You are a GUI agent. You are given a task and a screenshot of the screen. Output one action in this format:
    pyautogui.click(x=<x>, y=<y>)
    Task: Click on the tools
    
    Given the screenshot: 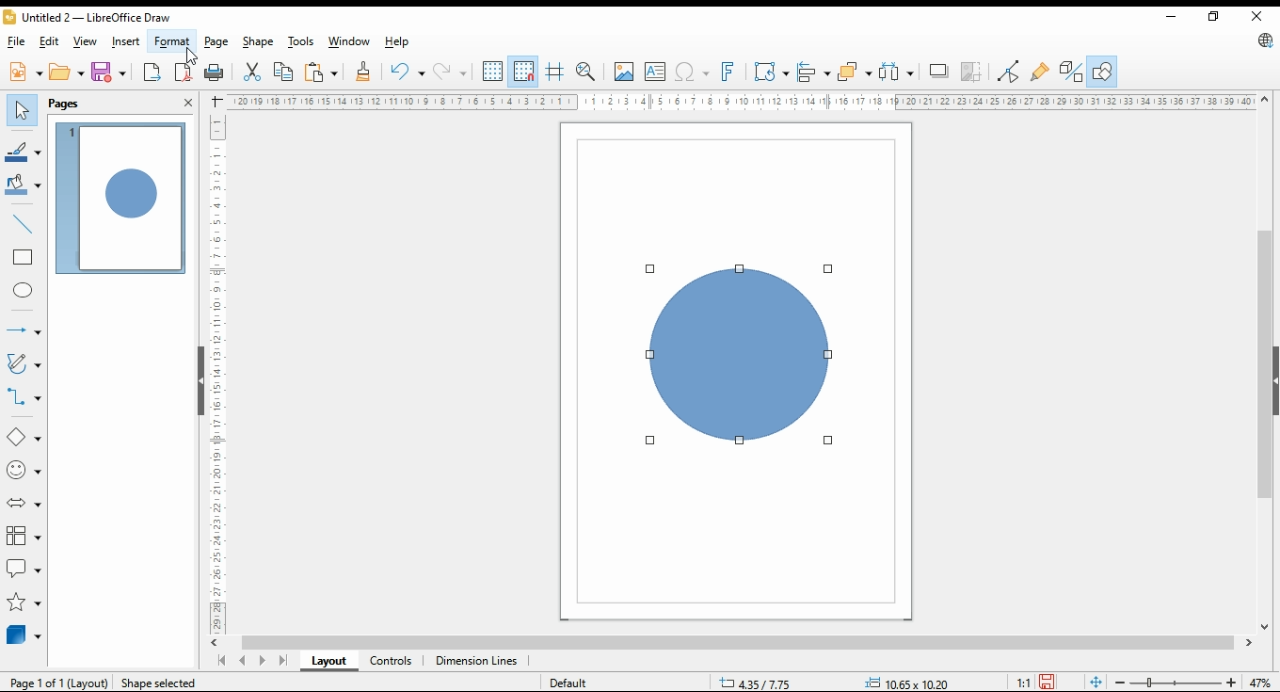 What is the action you would take?
    pyautogui.click(x=301, y=43)
    